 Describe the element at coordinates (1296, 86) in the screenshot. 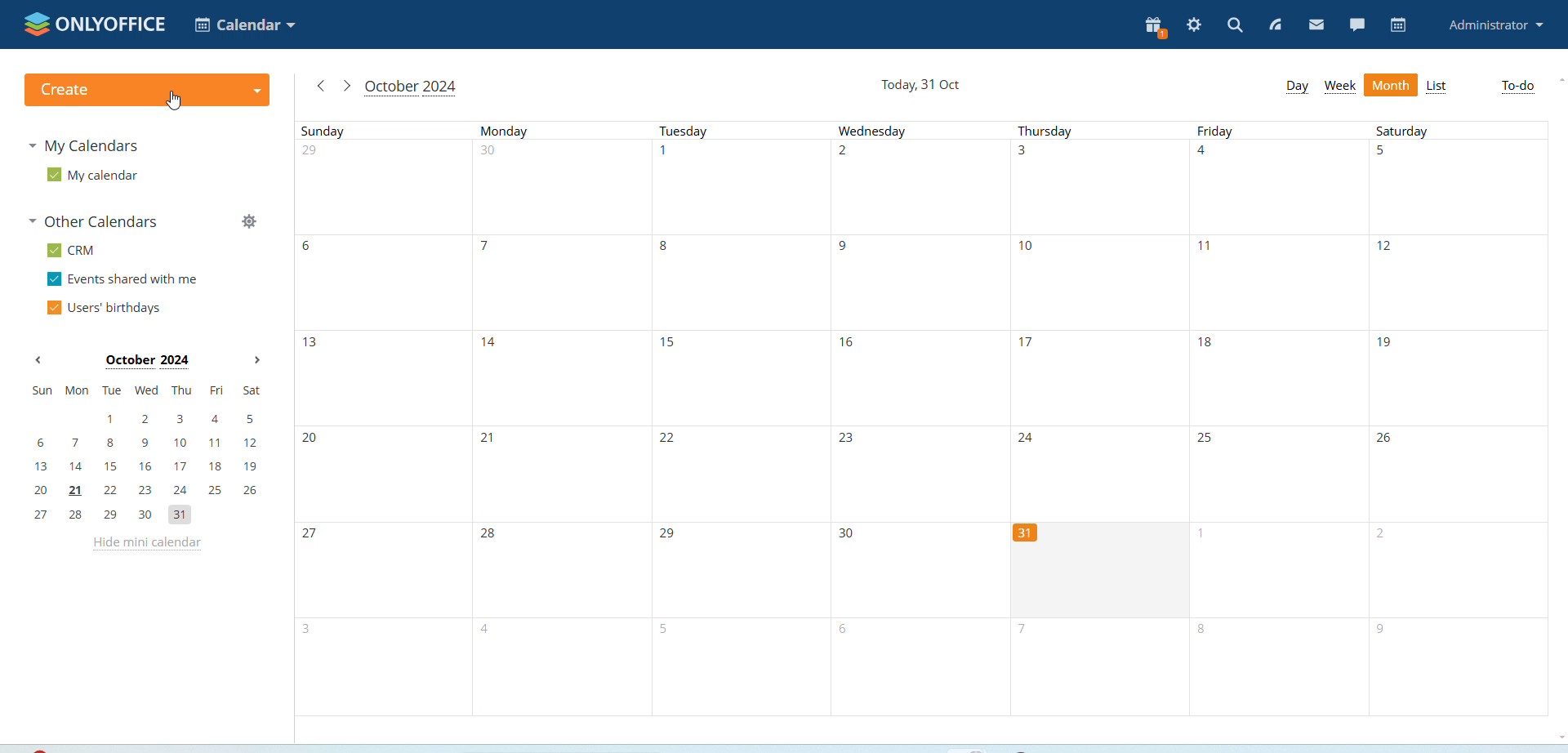

I see `day view` at that location.